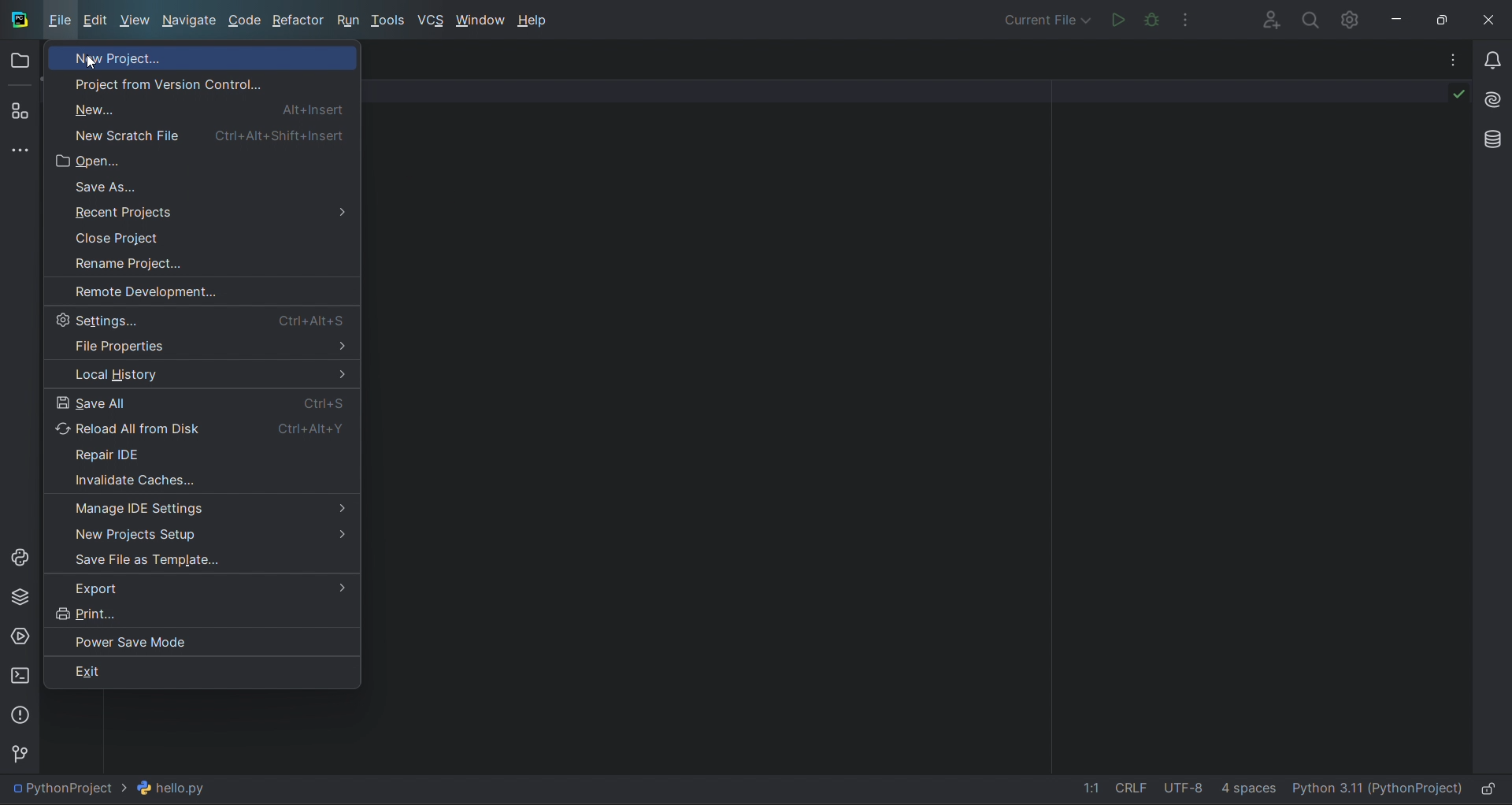 This screenshot has height=805, width=1512. What do you see at coordinates (202, 213) in the screenshot?
I see `recent projects` at bounding box center [202, 213].